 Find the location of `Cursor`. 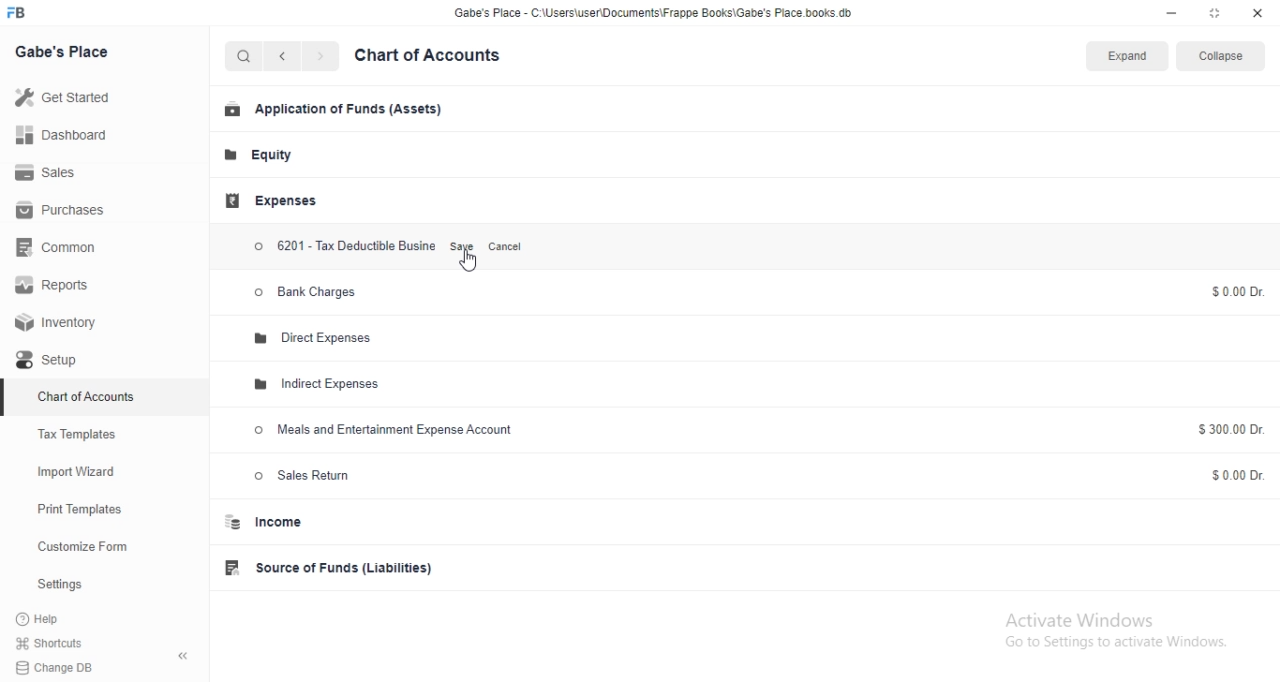

Cursor is located at coordinates (463, 256).